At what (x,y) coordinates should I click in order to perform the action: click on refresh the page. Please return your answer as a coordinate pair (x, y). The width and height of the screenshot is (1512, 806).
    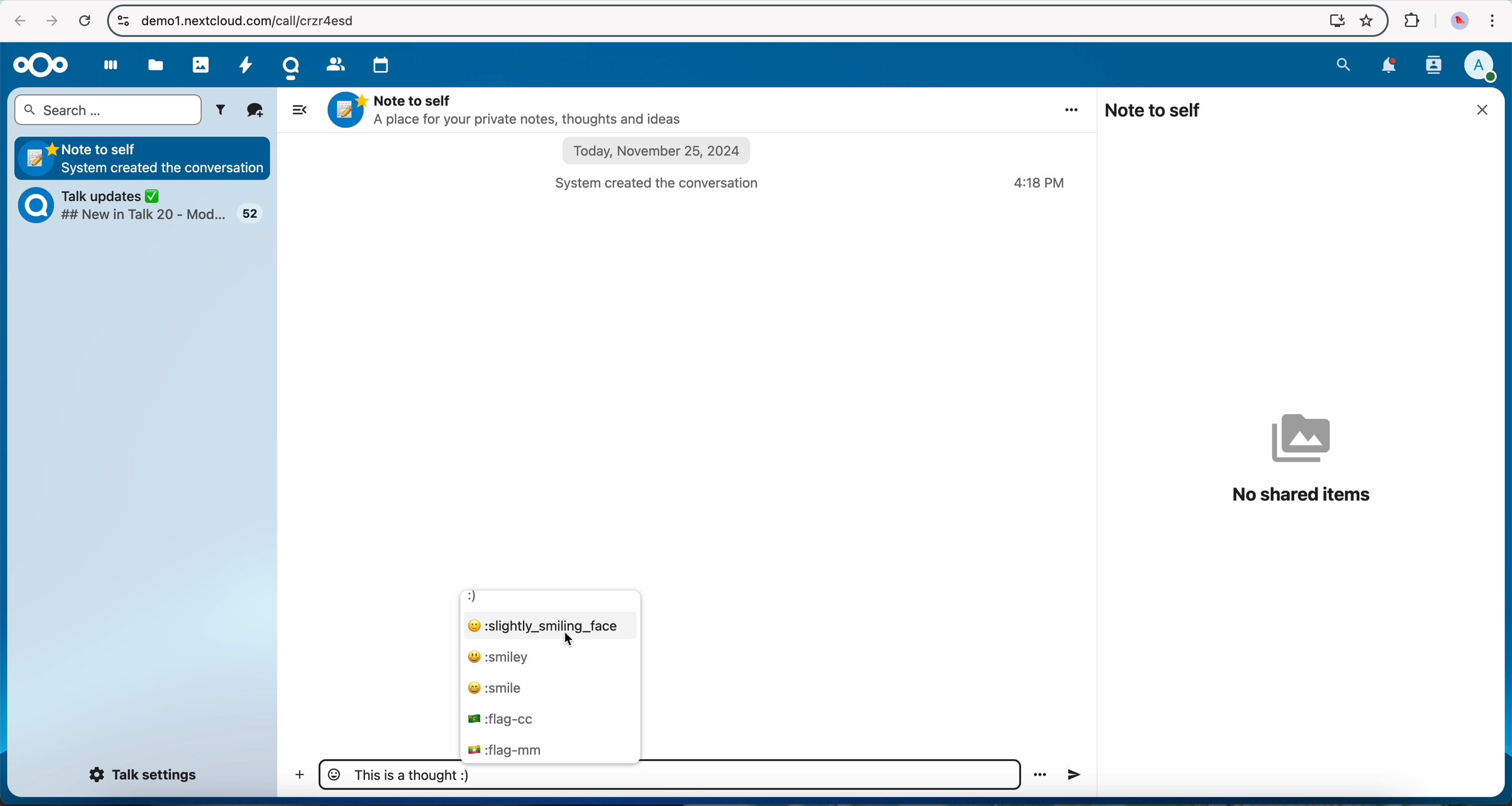
    Looking at the image, I should click on (84, 20).